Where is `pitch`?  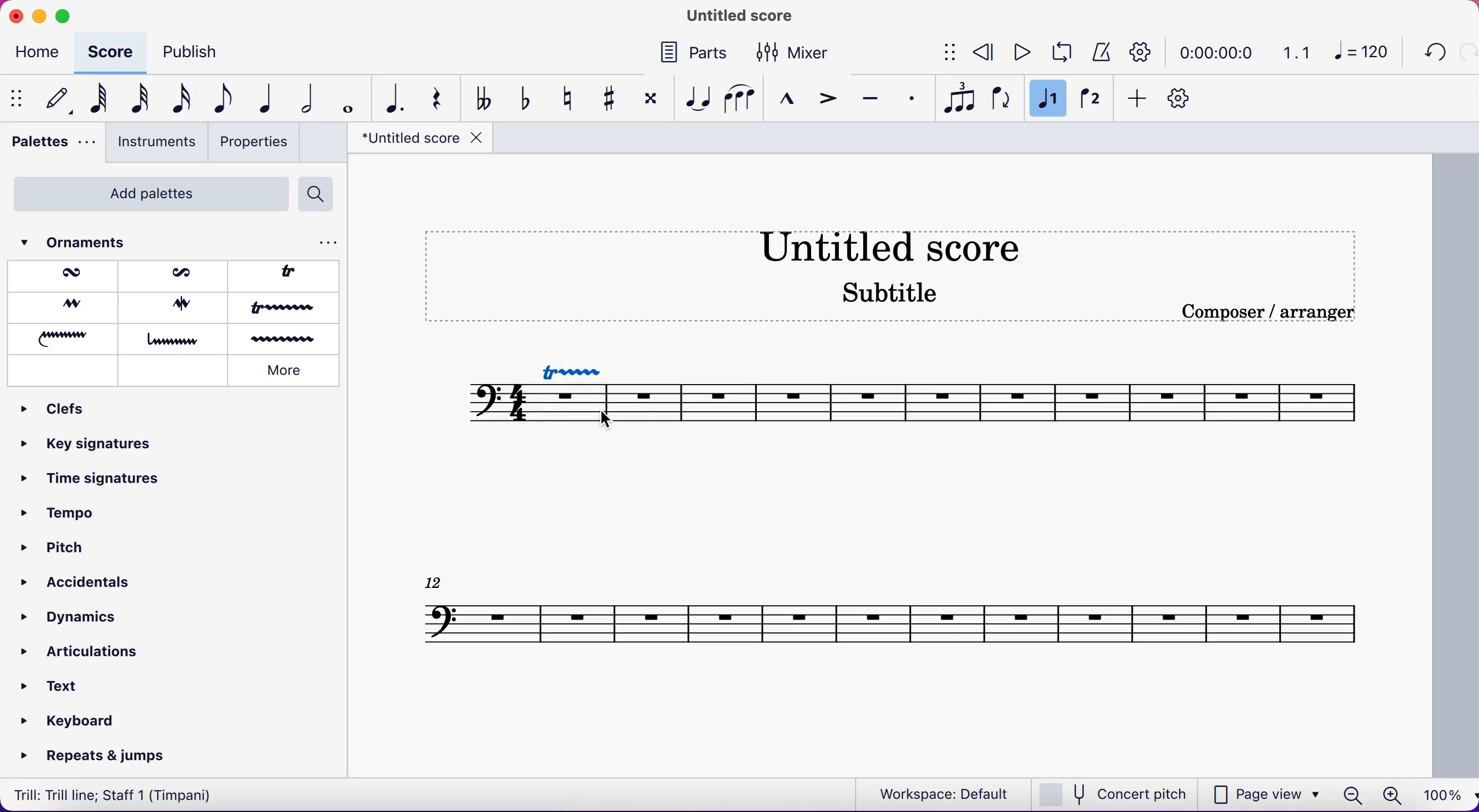 pitch is located at coordinates (53, 546).